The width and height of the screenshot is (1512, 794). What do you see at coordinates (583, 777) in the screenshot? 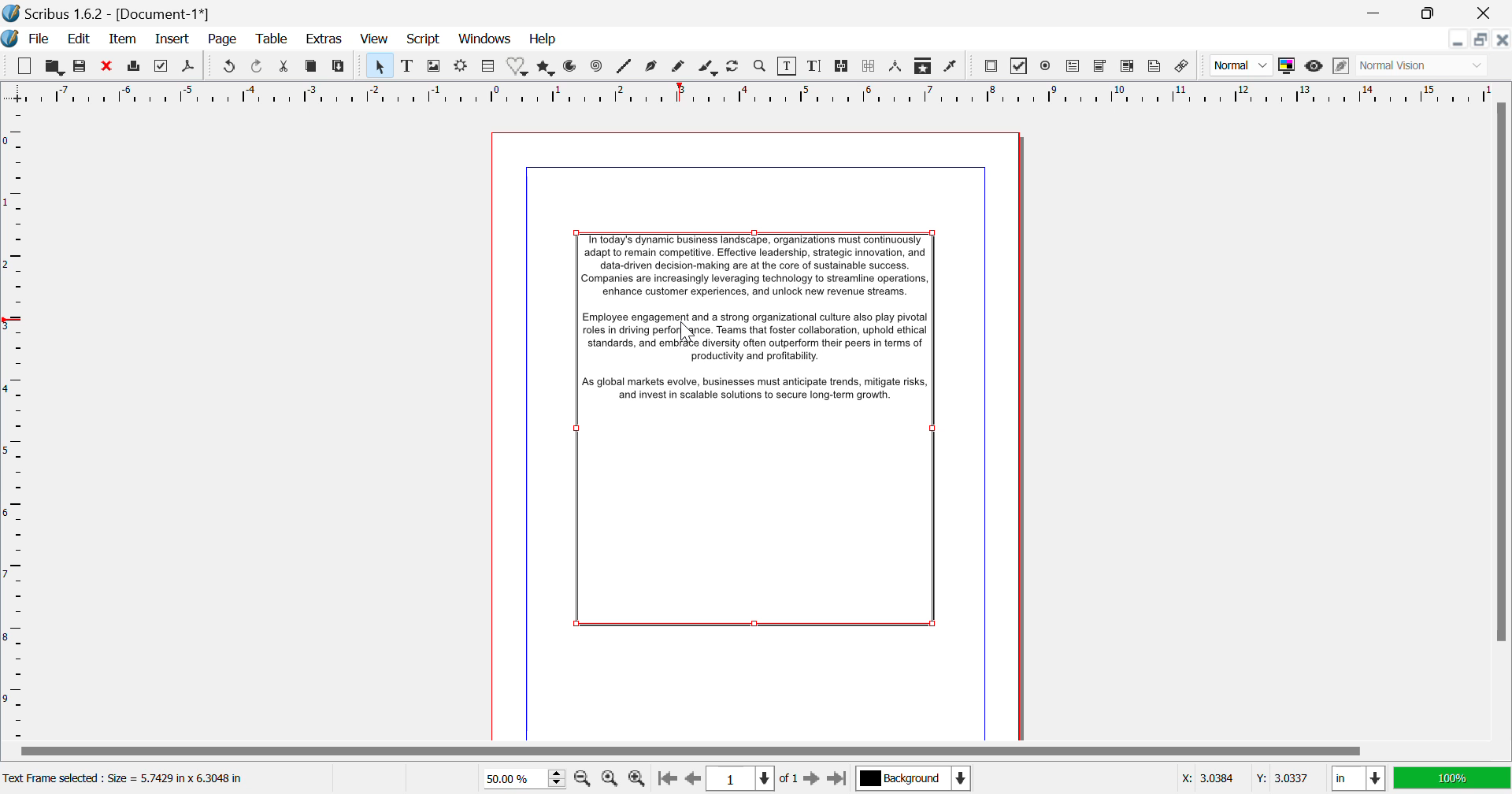
I see `Zoom Out` at bounding box center [583, 777].